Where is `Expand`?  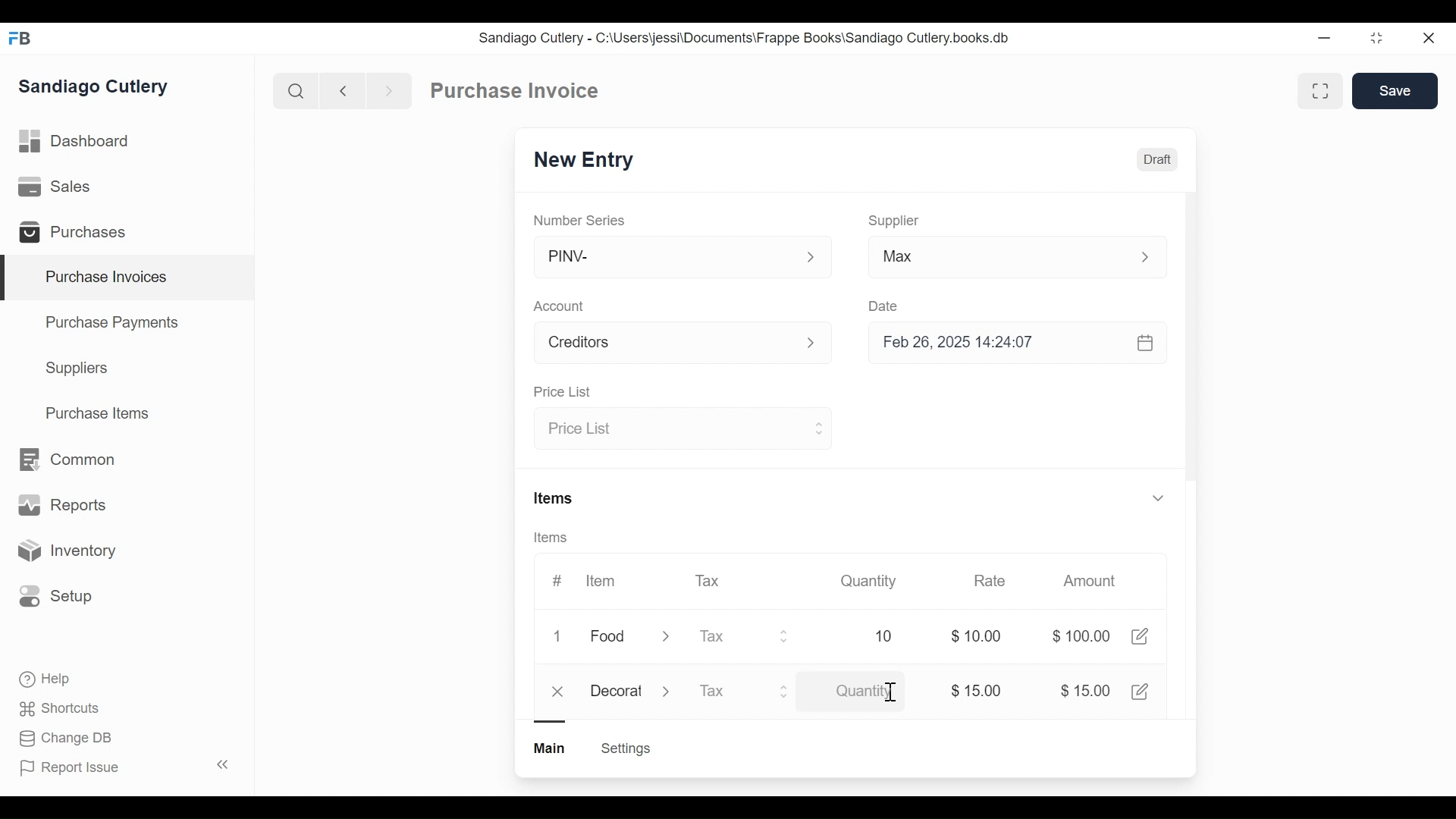 Expand is located at coordinates (787, 691).